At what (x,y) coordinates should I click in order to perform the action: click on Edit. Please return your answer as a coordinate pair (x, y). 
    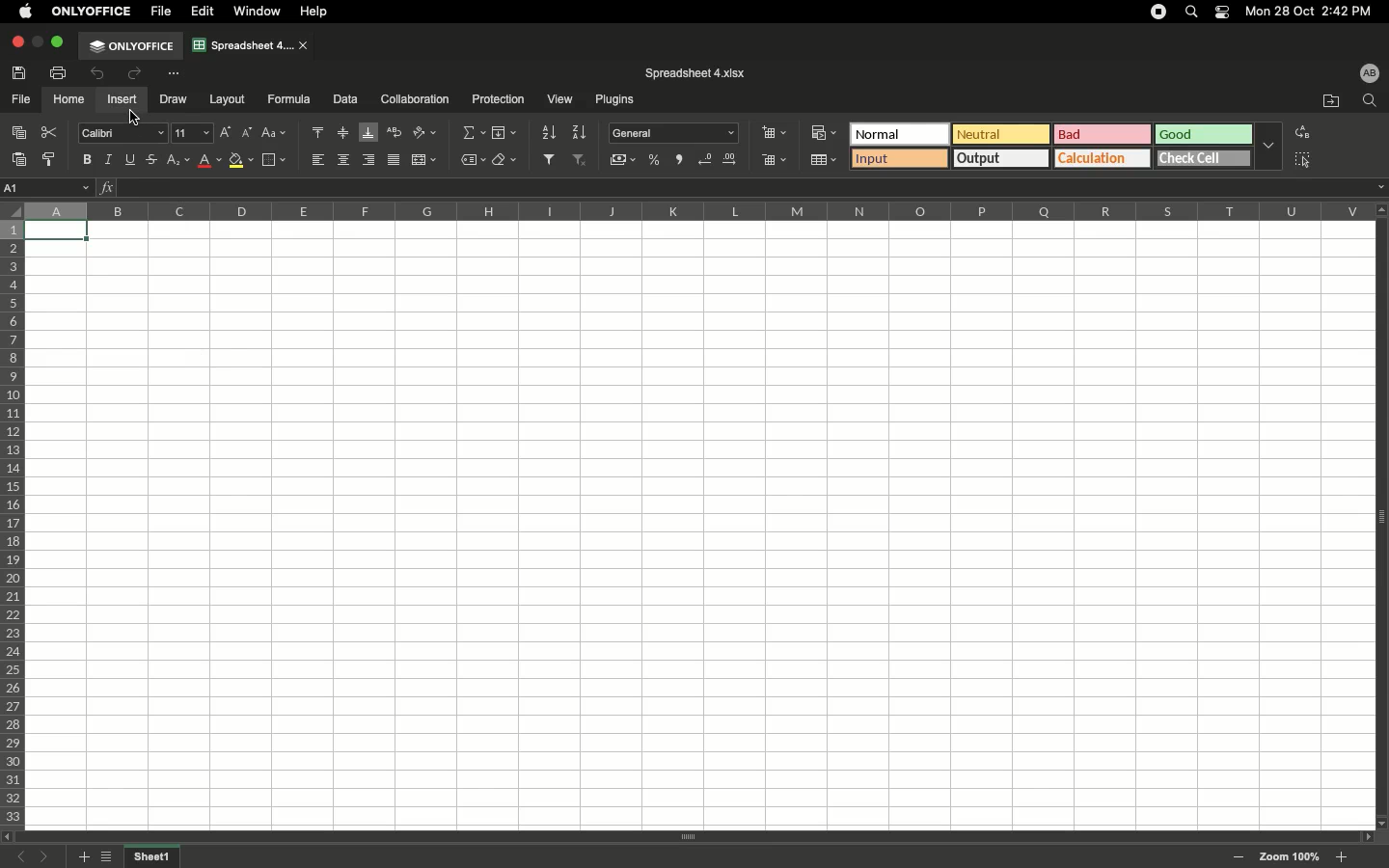
    Looking at the image, I should click on (204, 12).